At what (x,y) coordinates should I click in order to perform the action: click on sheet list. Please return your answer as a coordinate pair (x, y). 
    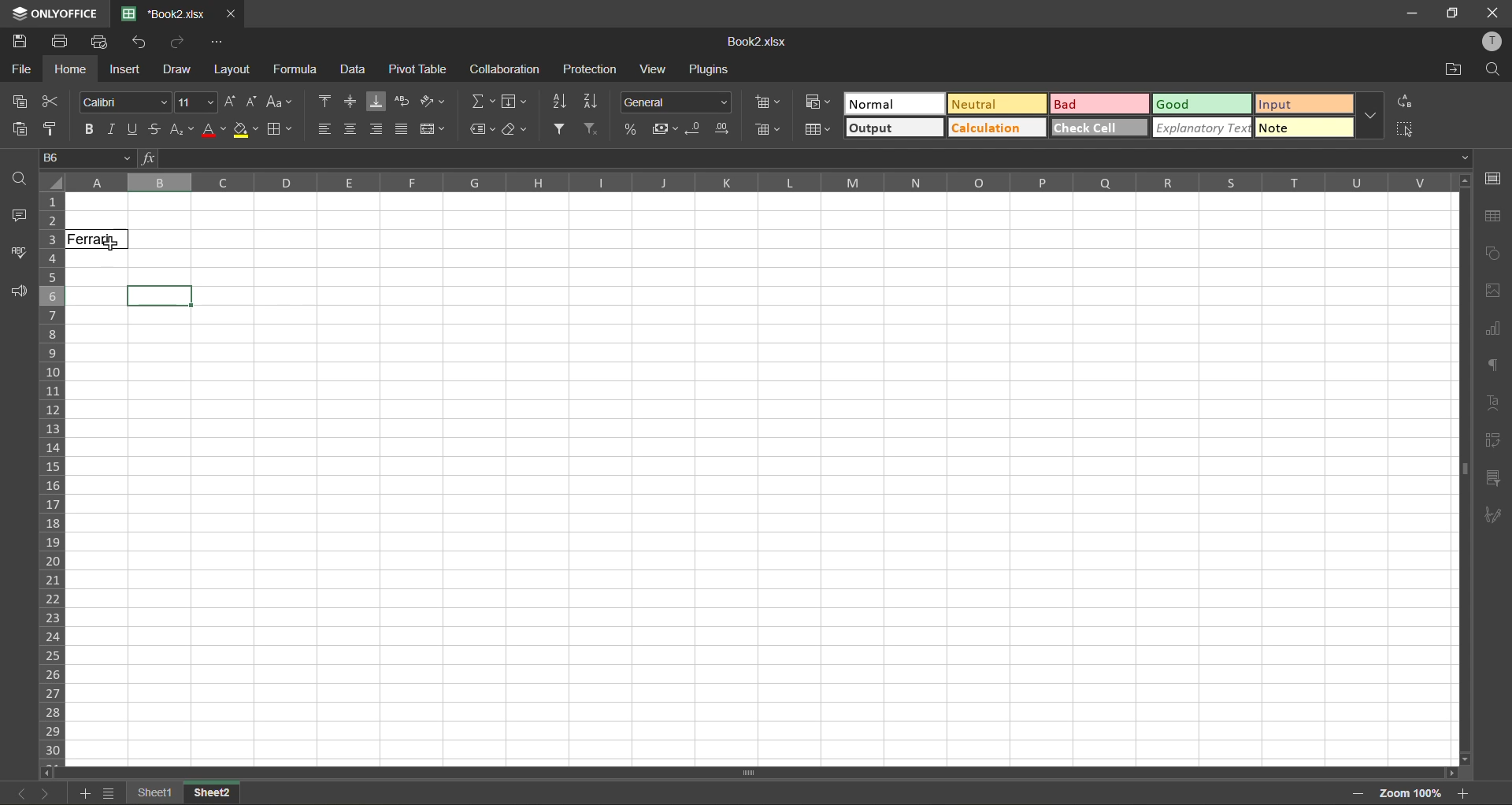
    Looking at the image, I should click on (109, 793).